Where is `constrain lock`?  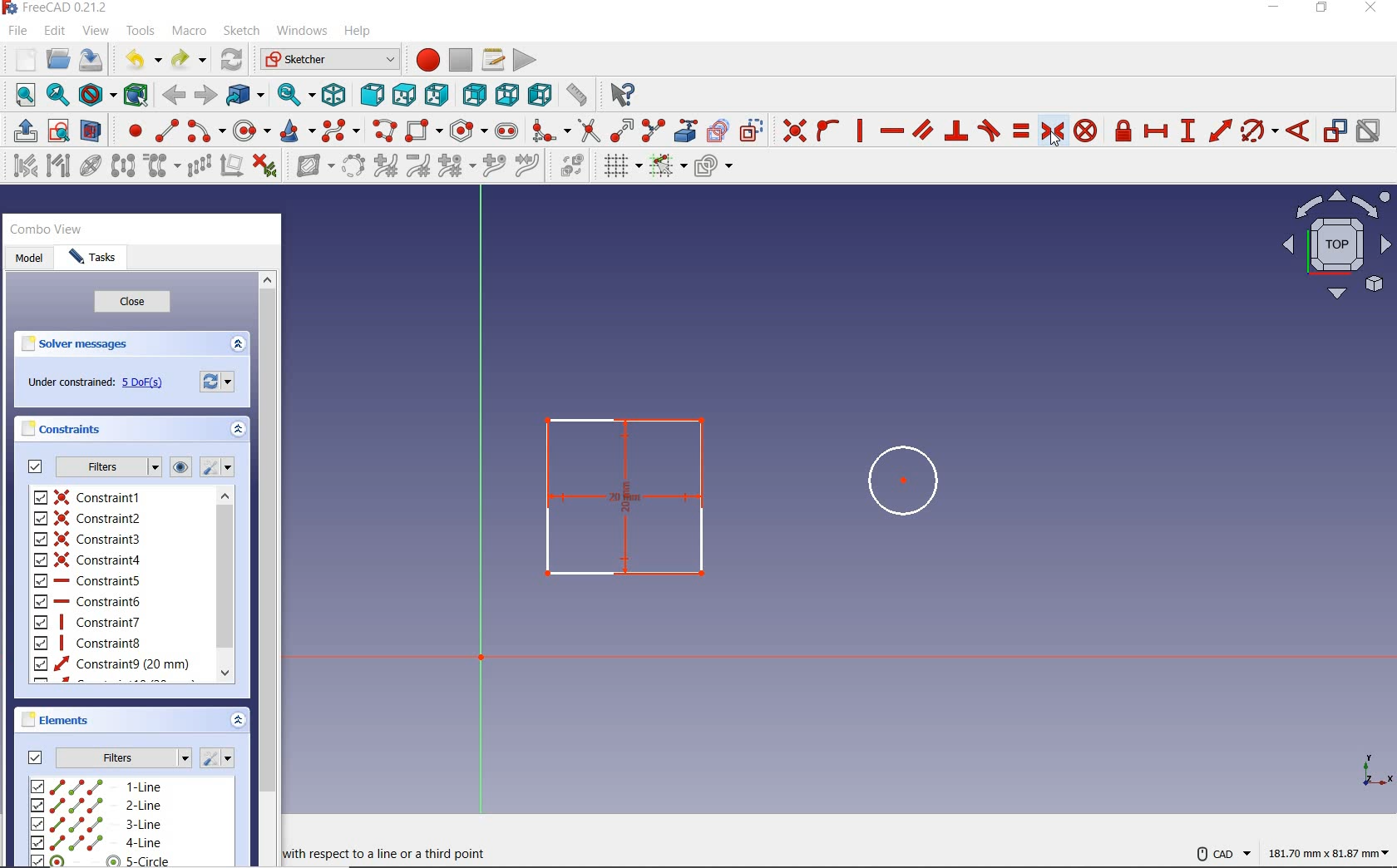 constrain lock is located at coordinates (1123, 131).